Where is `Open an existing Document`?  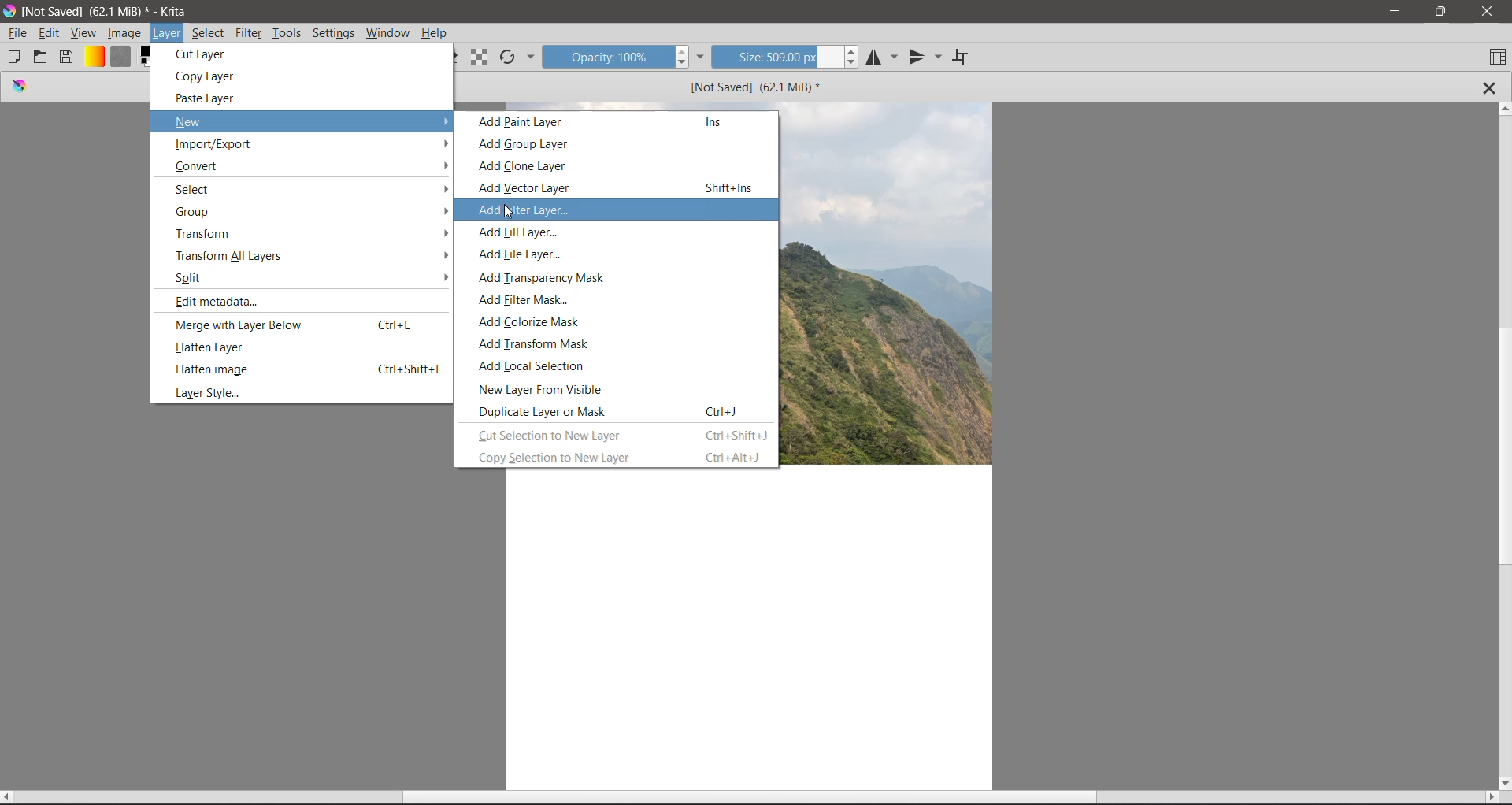
Open an existing Document is located at coordinates (41, 58).